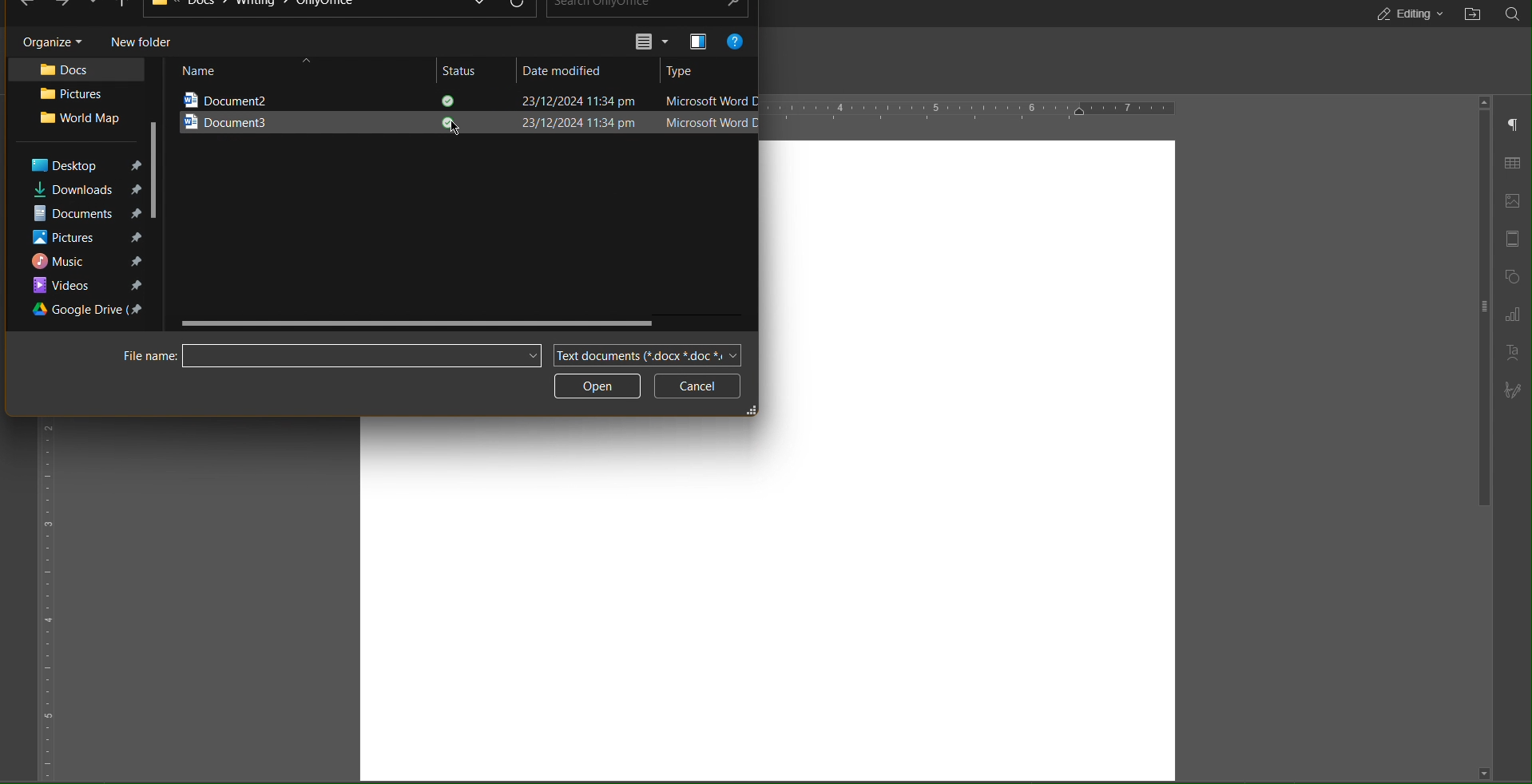 This screenshot has width=1532, height=784. I want to click on Microsoft Word [
Microsoft Word [, so click(708, 115).